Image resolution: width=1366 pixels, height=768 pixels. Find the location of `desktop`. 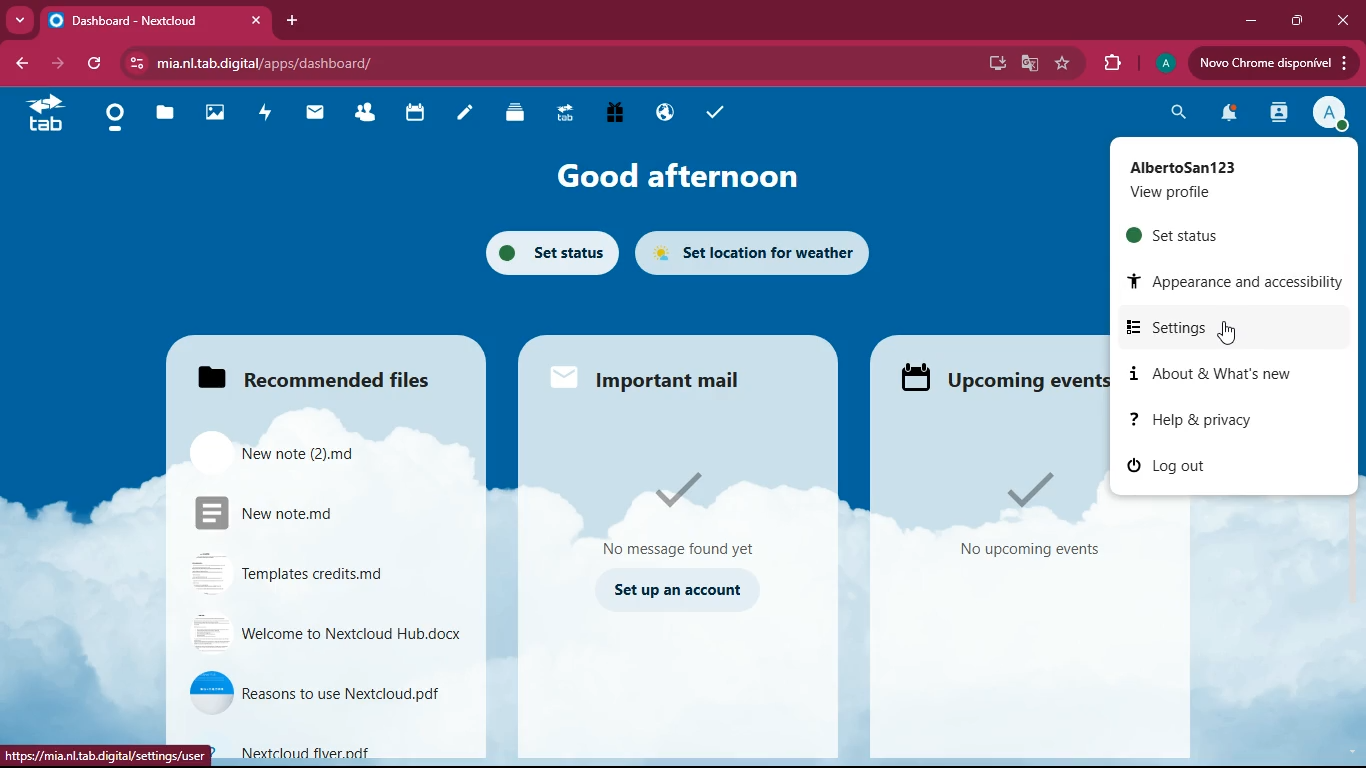

desktop is located at coordinates (988, 64).